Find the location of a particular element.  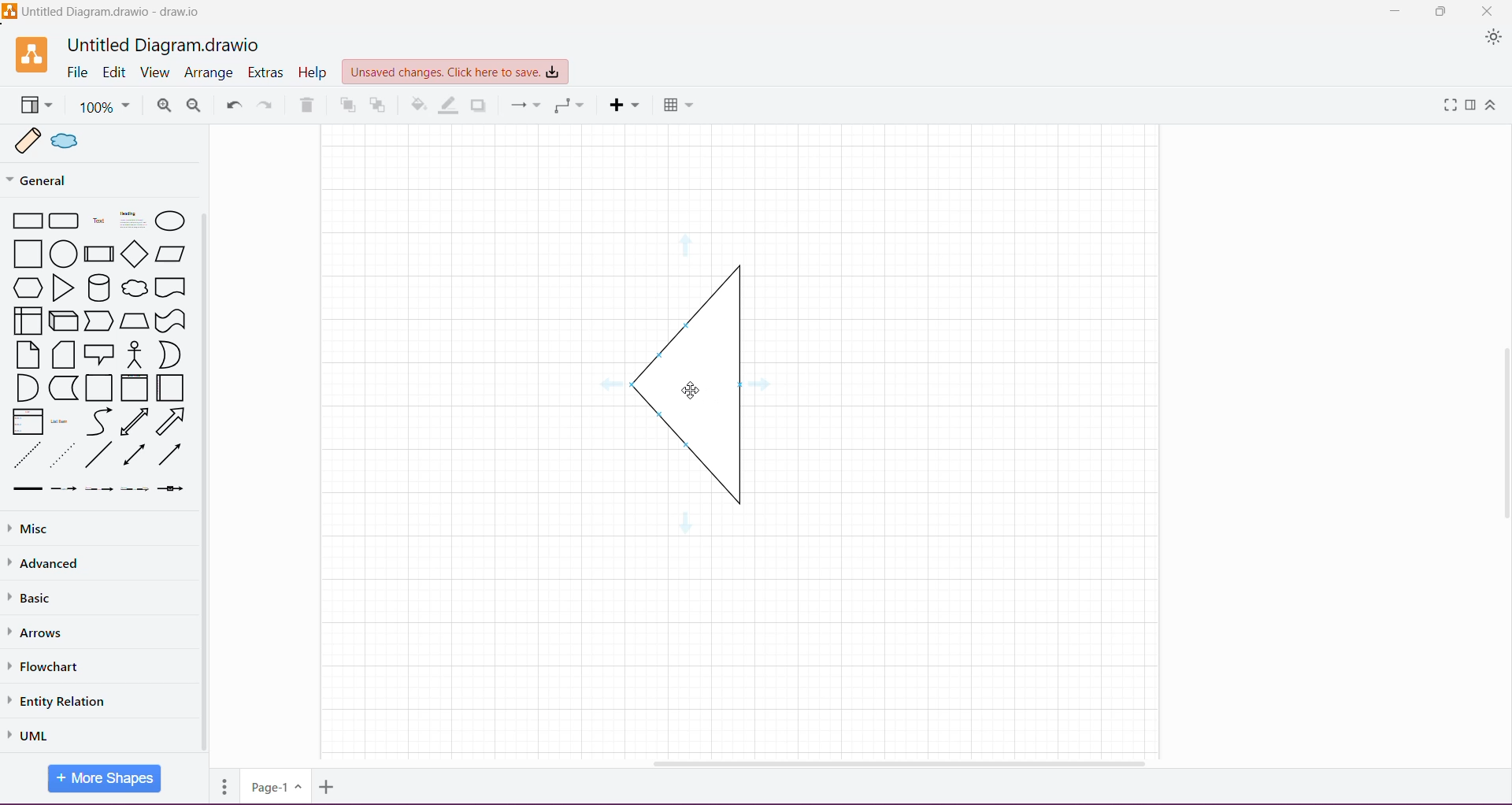

Add Pages is located at coordinates (327, 787).